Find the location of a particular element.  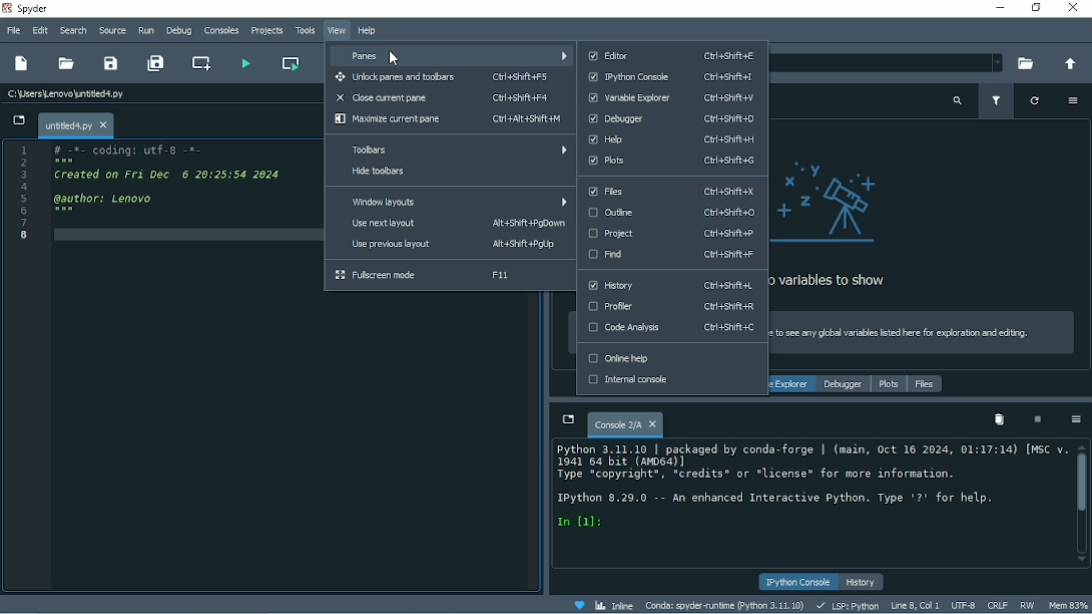

Debugger is located at coordinates (843, 385).